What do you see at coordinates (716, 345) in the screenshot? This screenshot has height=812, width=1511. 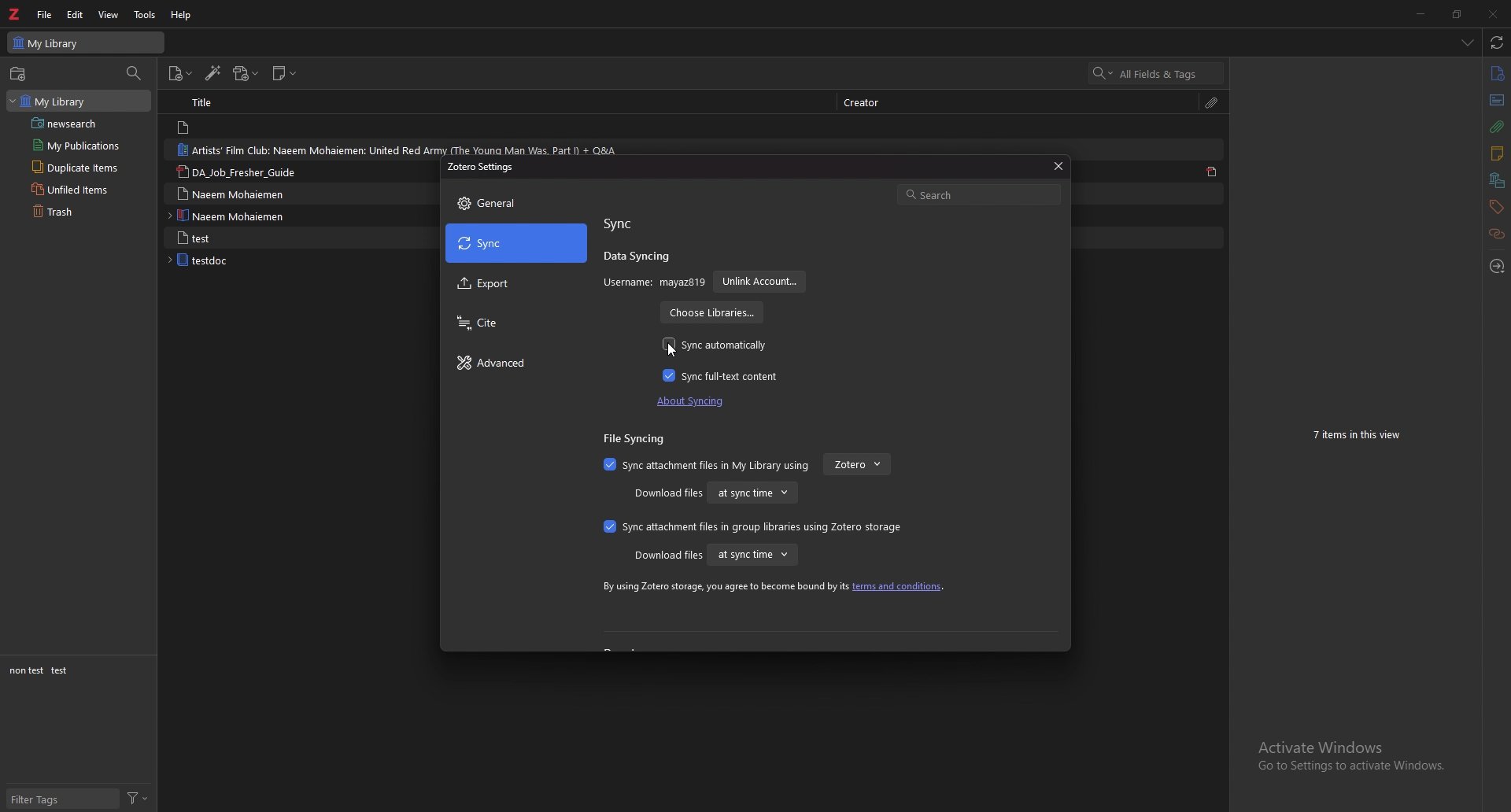 I see `sync automatically` at bounding box center [716, 345].